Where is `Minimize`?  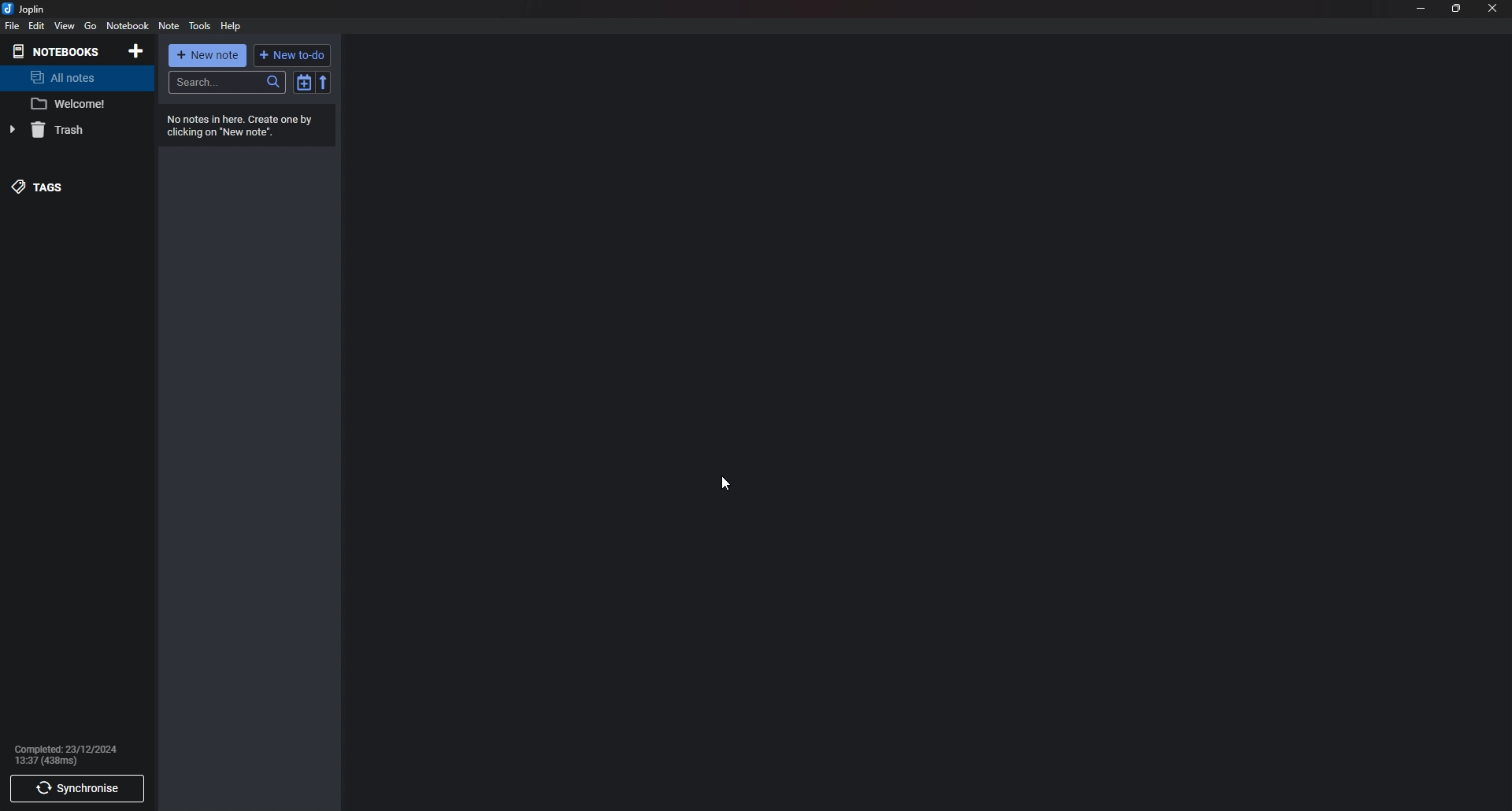 Minimize is located at coordinates (1421, 7).